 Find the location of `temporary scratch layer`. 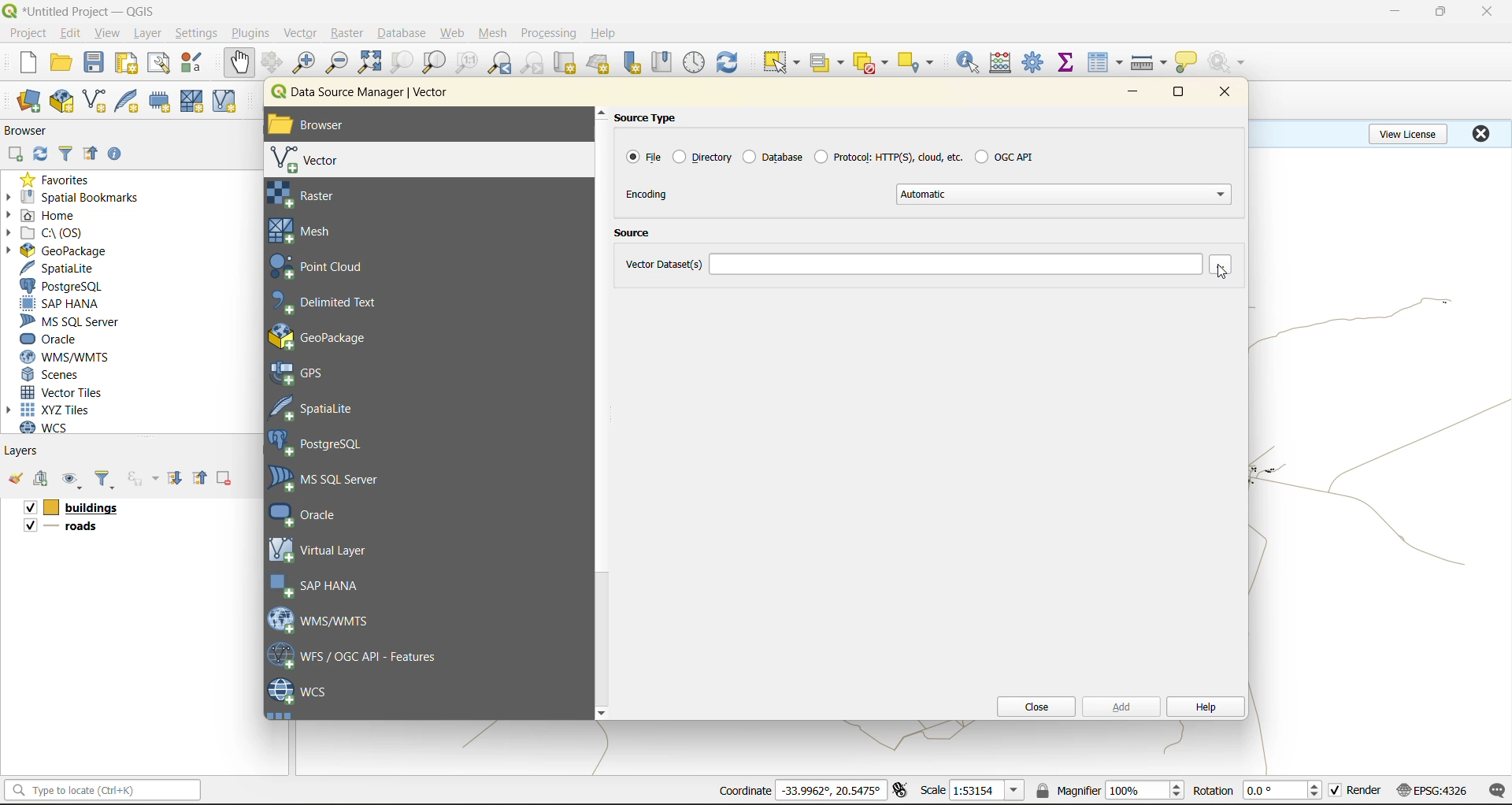

temporary scratch layer is located at coordinates (164, 102).